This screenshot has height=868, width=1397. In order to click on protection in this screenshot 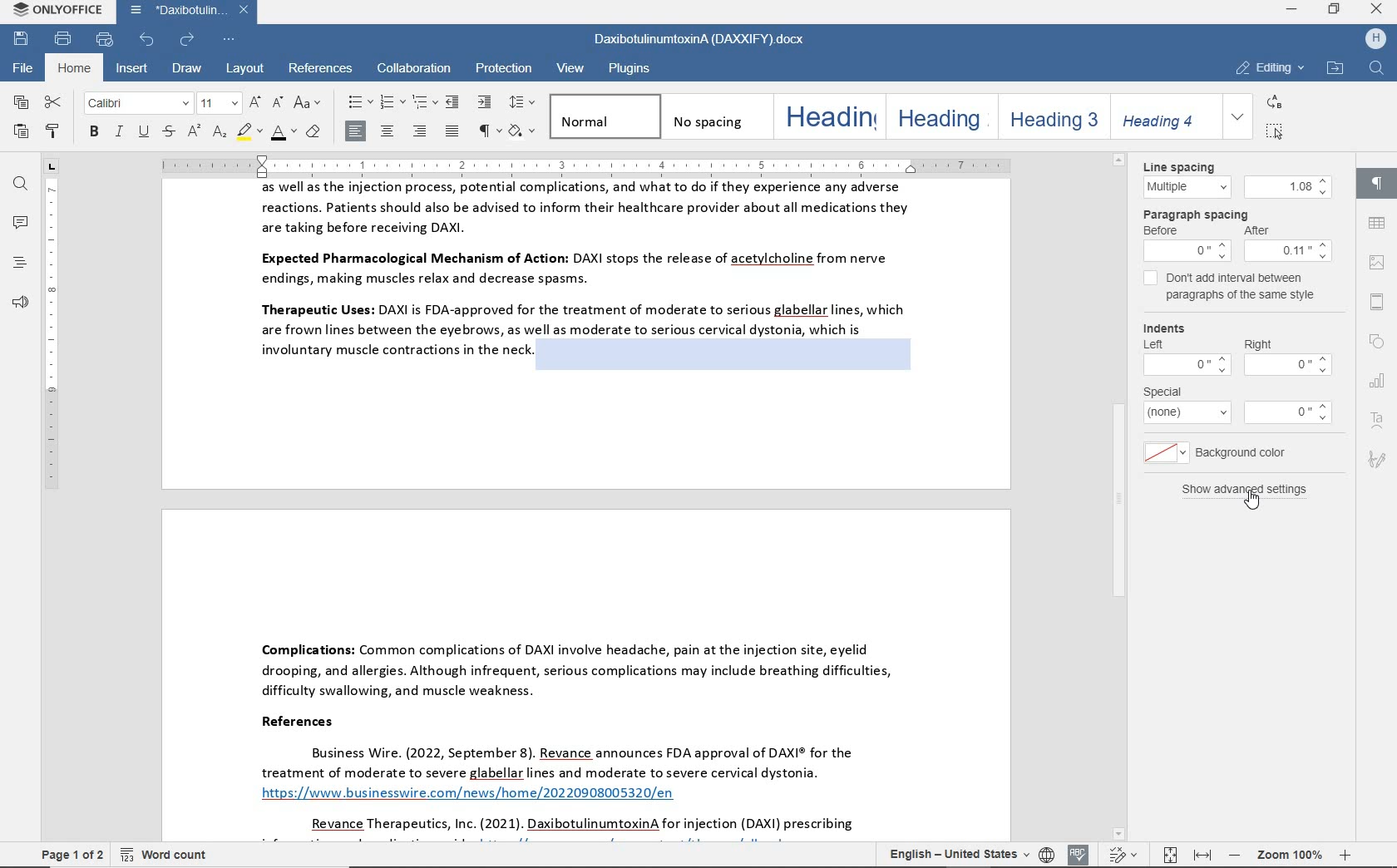, I will do `click(503, 67)`.